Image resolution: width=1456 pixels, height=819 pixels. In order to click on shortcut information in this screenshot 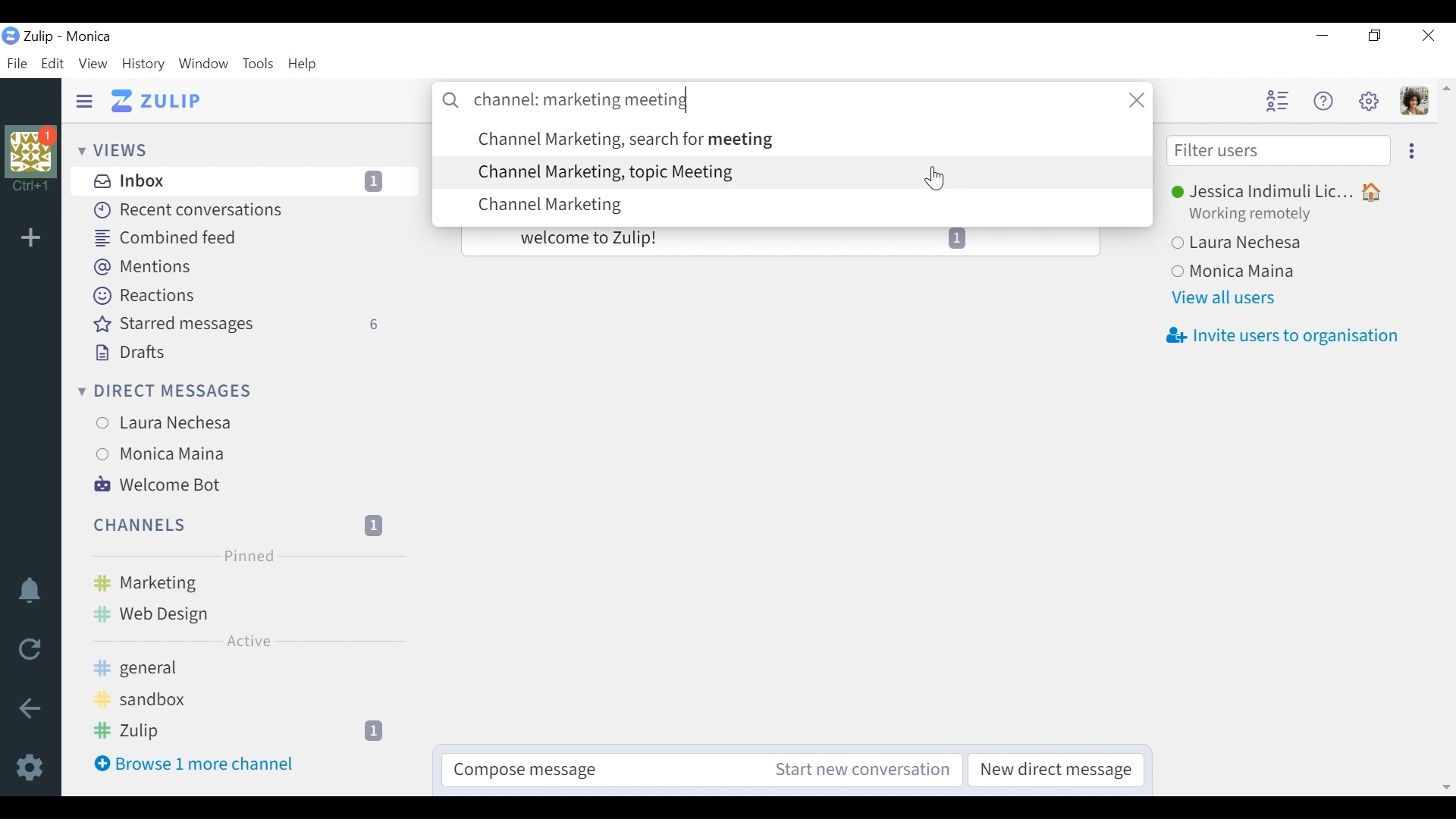, I will do `click(30, 184)`.